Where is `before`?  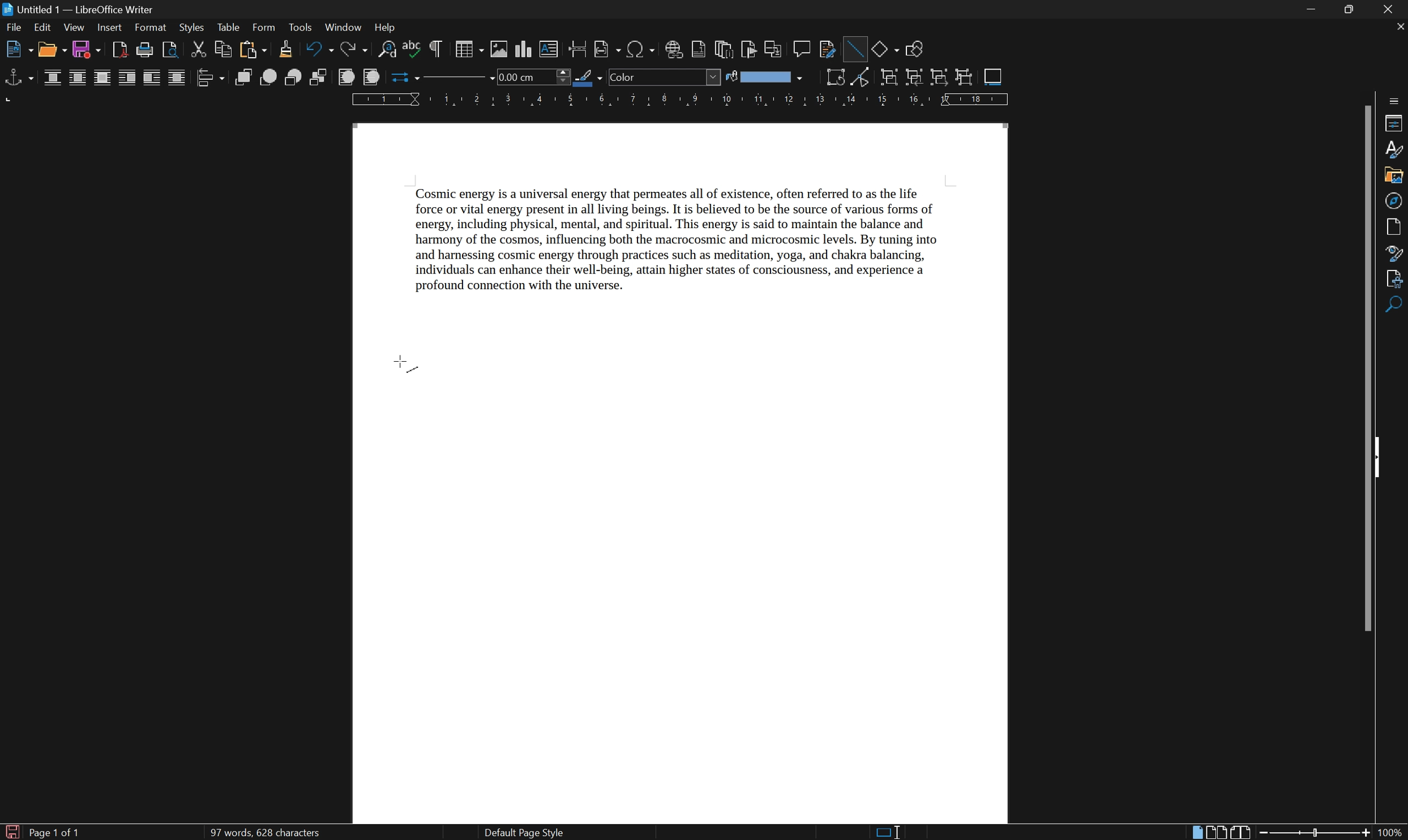 before is located at coordinates (127, 79).